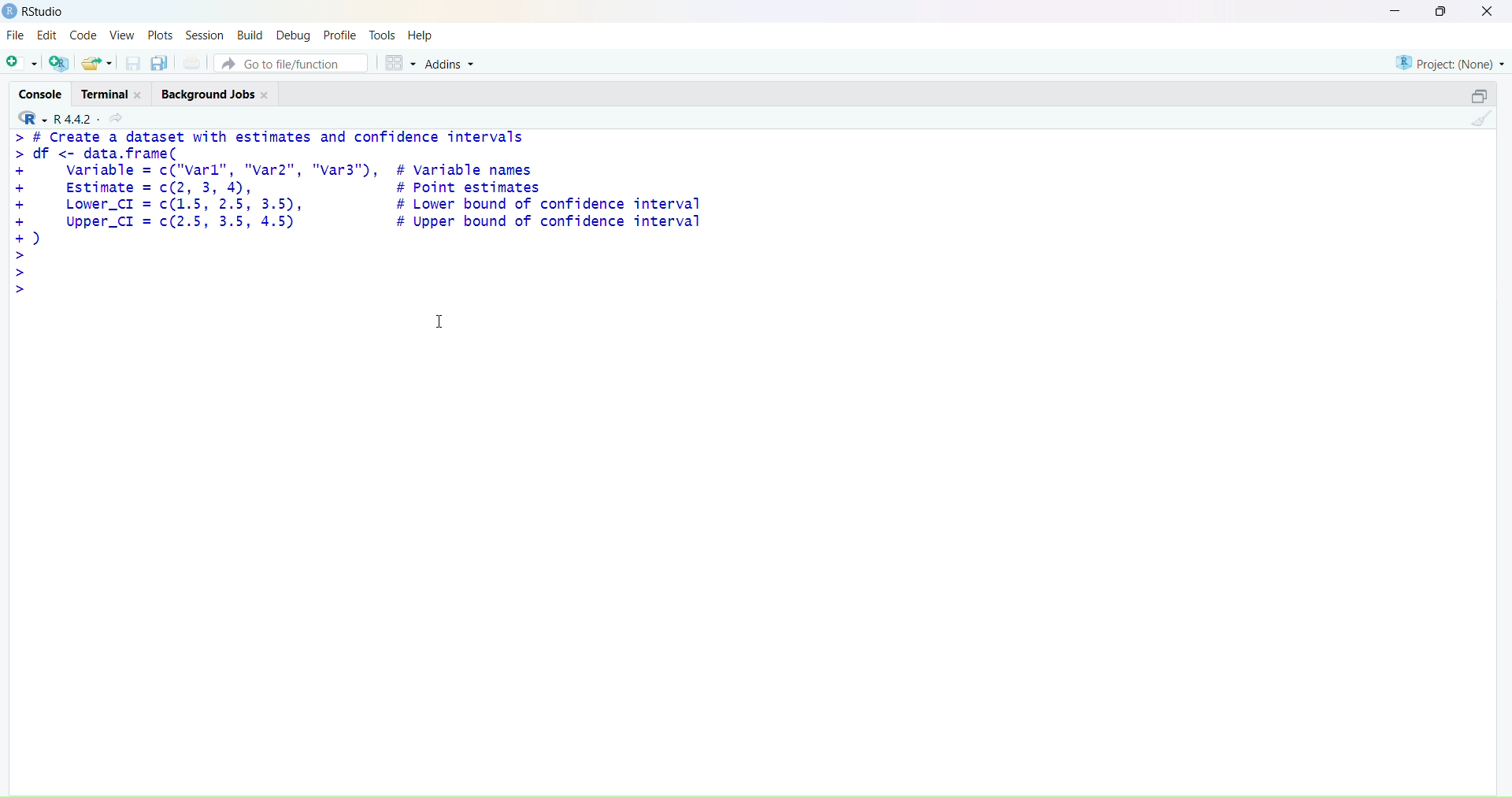 The height and width of the screenshot is (797, 1512). What do you see at coordinates (161, 35) in the screenshot?
I see `Plots` at bounding box center [161, 35].